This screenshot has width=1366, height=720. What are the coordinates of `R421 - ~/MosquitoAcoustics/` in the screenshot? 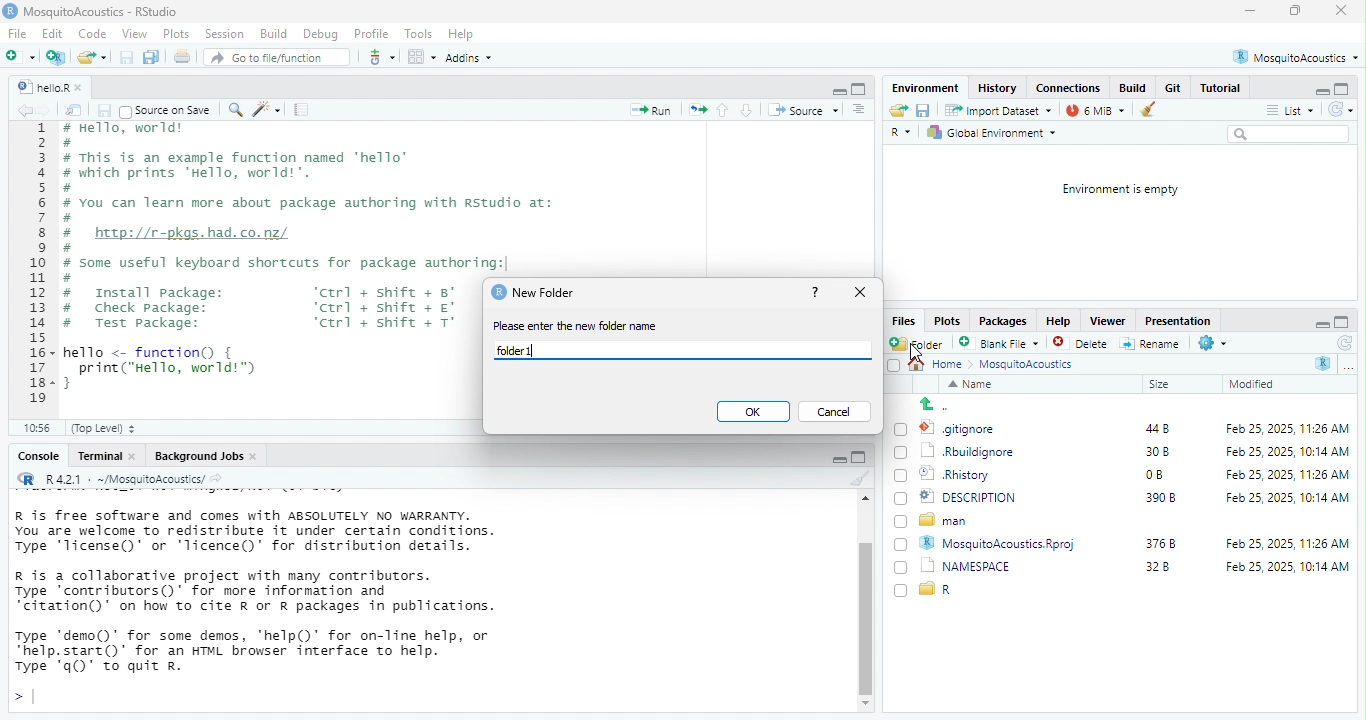 It's located at (135, 478).